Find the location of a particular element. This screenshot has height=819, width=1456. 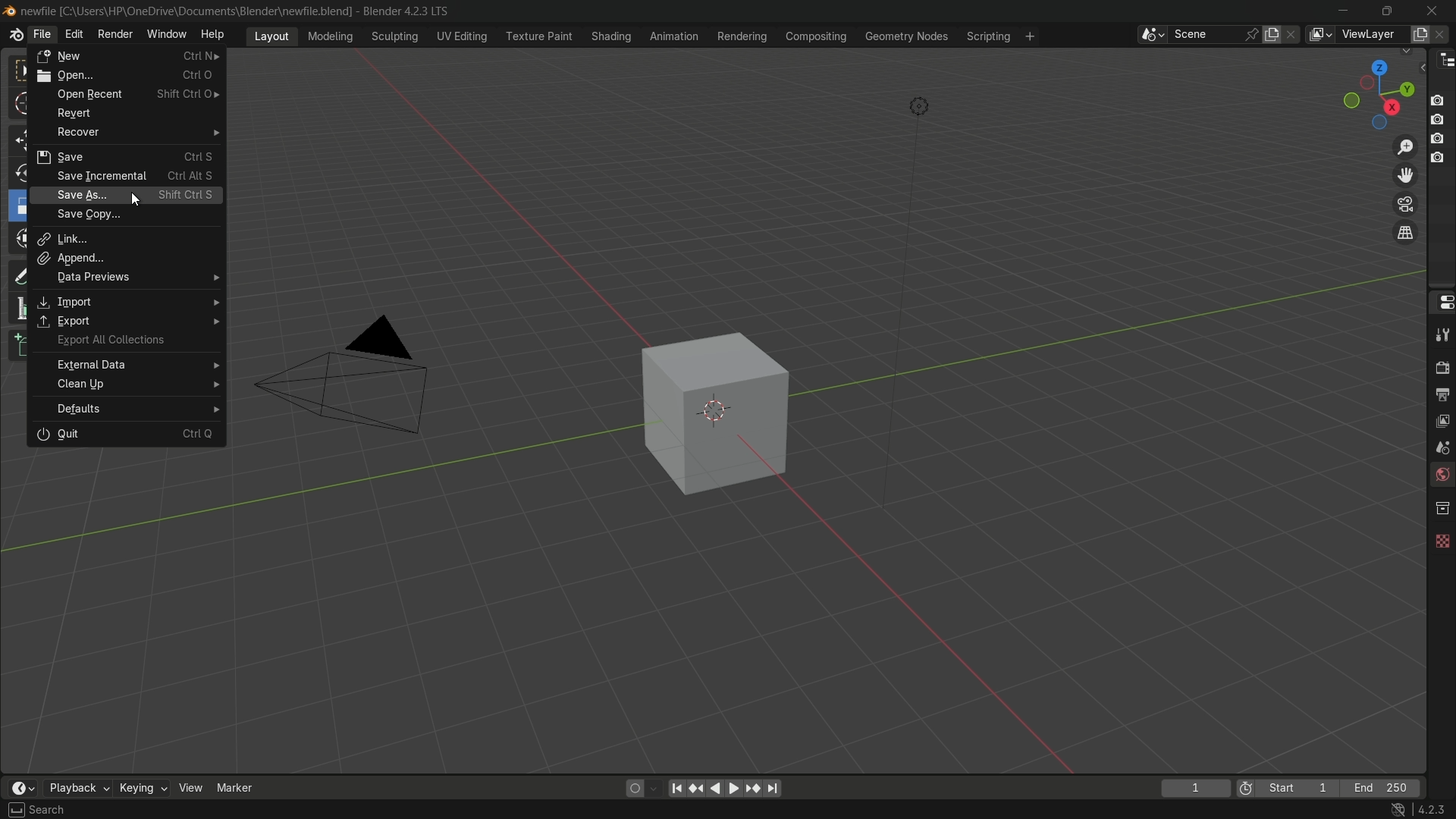

collections is located at coordinates (1442, 508).